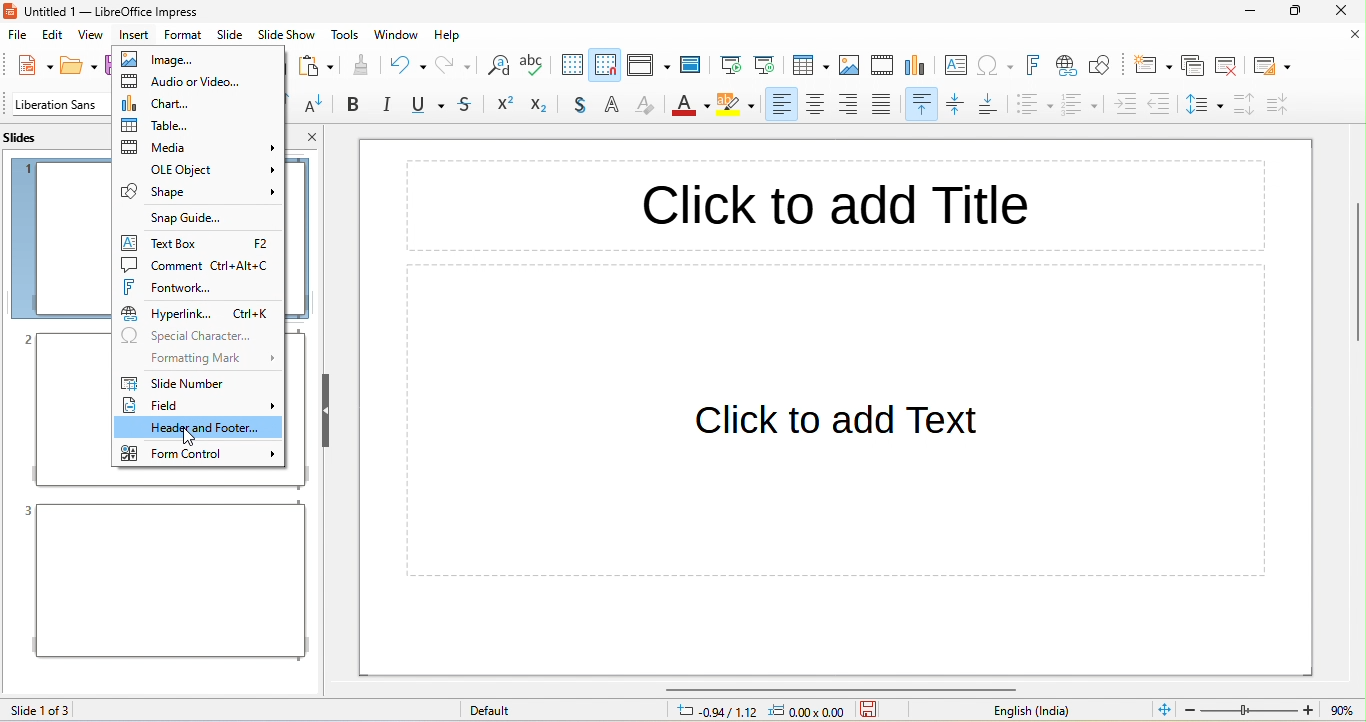 The image size is (1366, 722). Describe the element at coordinates (923, 105) in the screenshot. I see `align top` at that location.